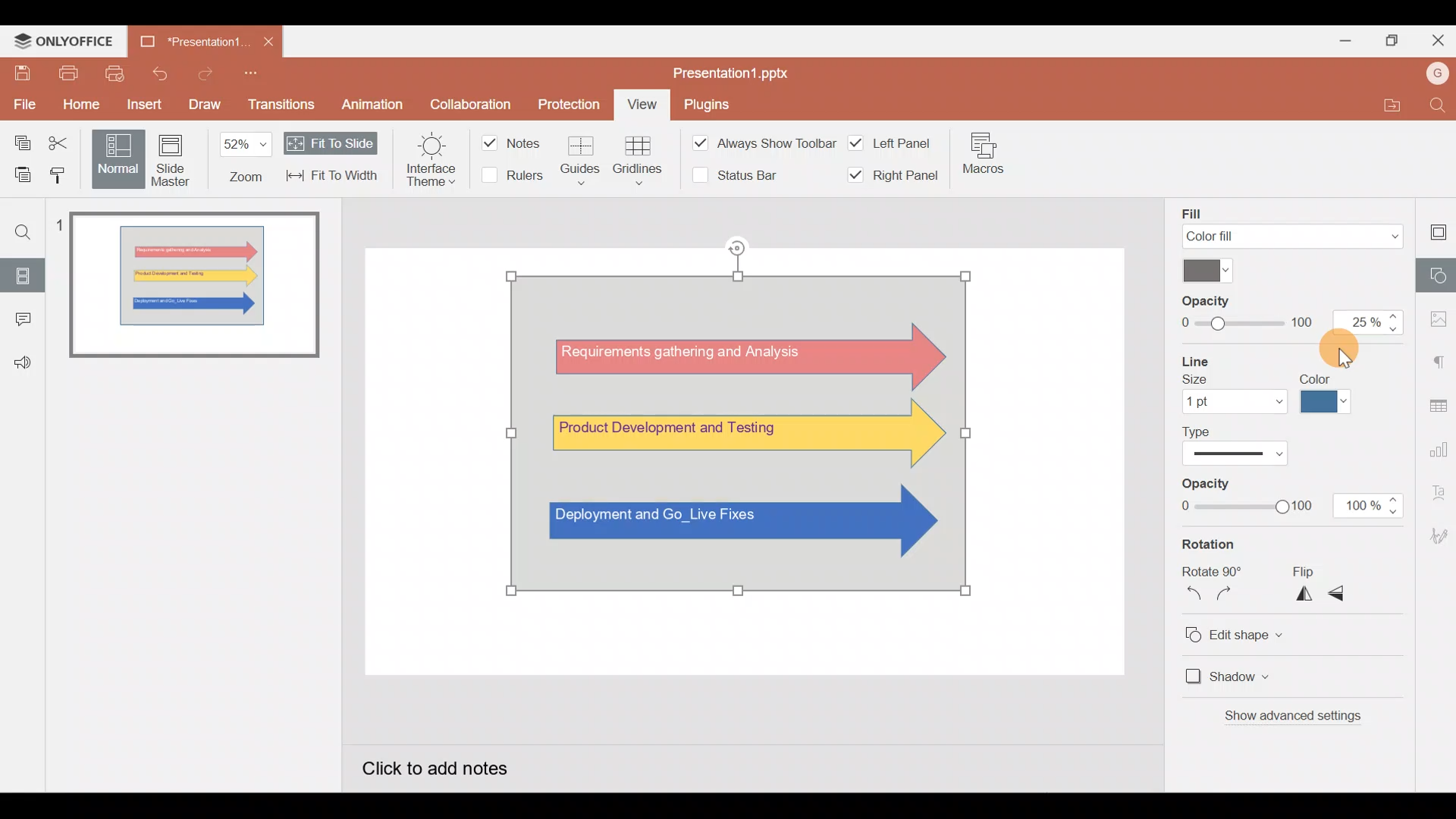 This screenshot has width=1456, height=819. I want to click on Rotate clockwise, so click(1228, 597).